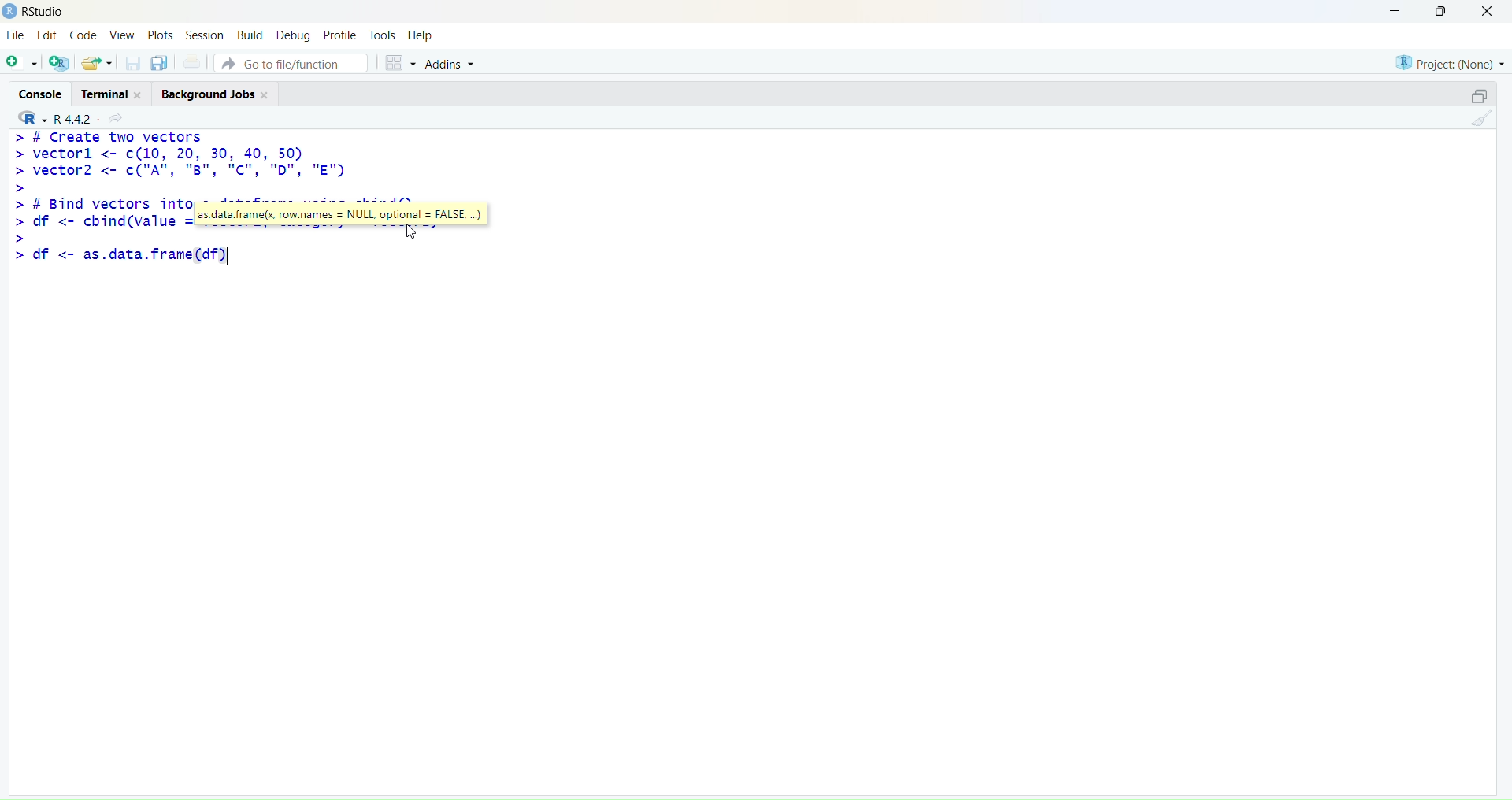 Image resolution: width=1512 pixels, height=800 pixels. Describe the element at coordinates (60, 63) in the screenshot. I see `Create project` at that location.